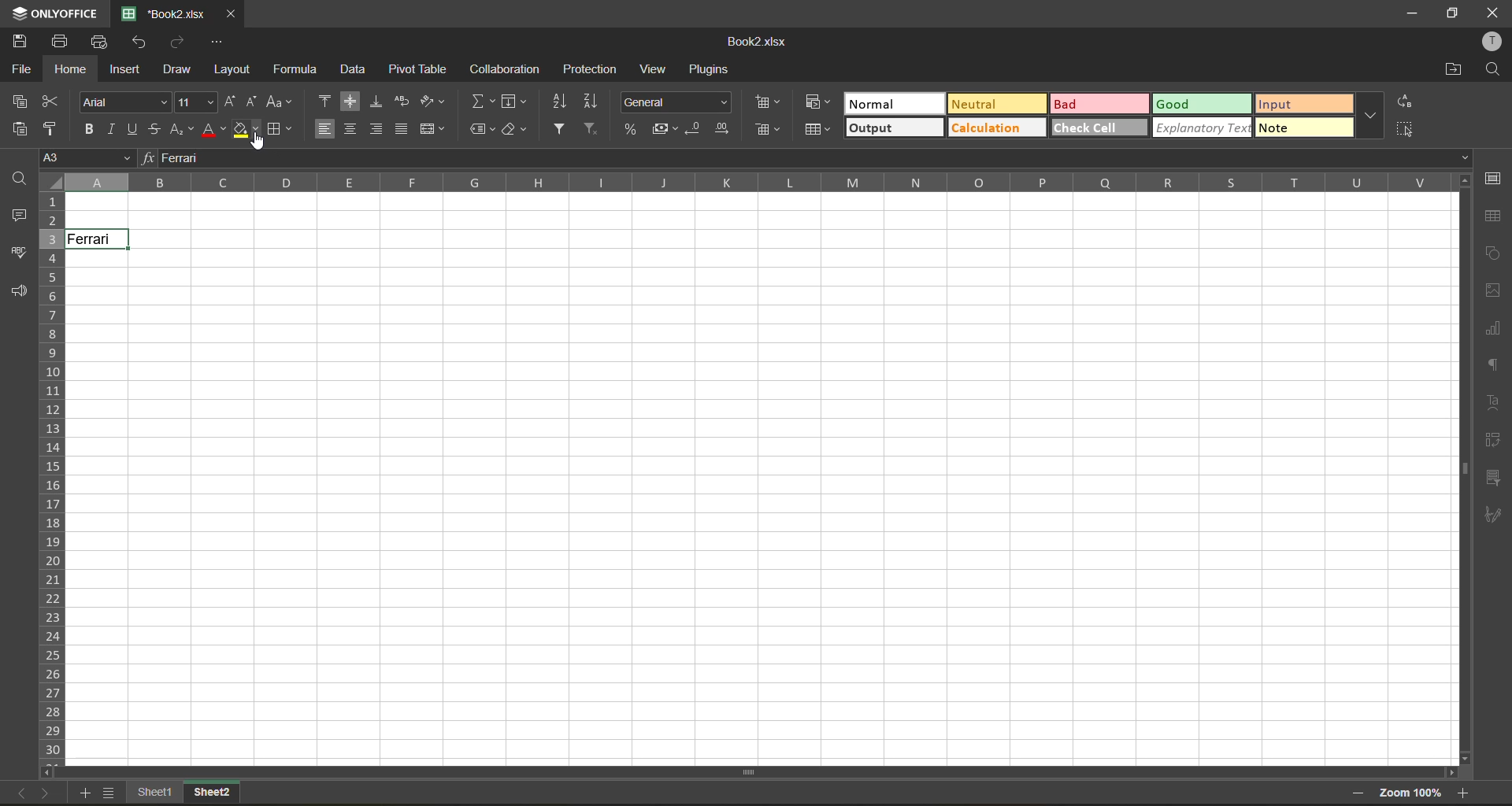 This screenshot has height=806, width=1512. Describe the element at coordinates (1410, 15) in the screenshot. I see `minimize` at that location.